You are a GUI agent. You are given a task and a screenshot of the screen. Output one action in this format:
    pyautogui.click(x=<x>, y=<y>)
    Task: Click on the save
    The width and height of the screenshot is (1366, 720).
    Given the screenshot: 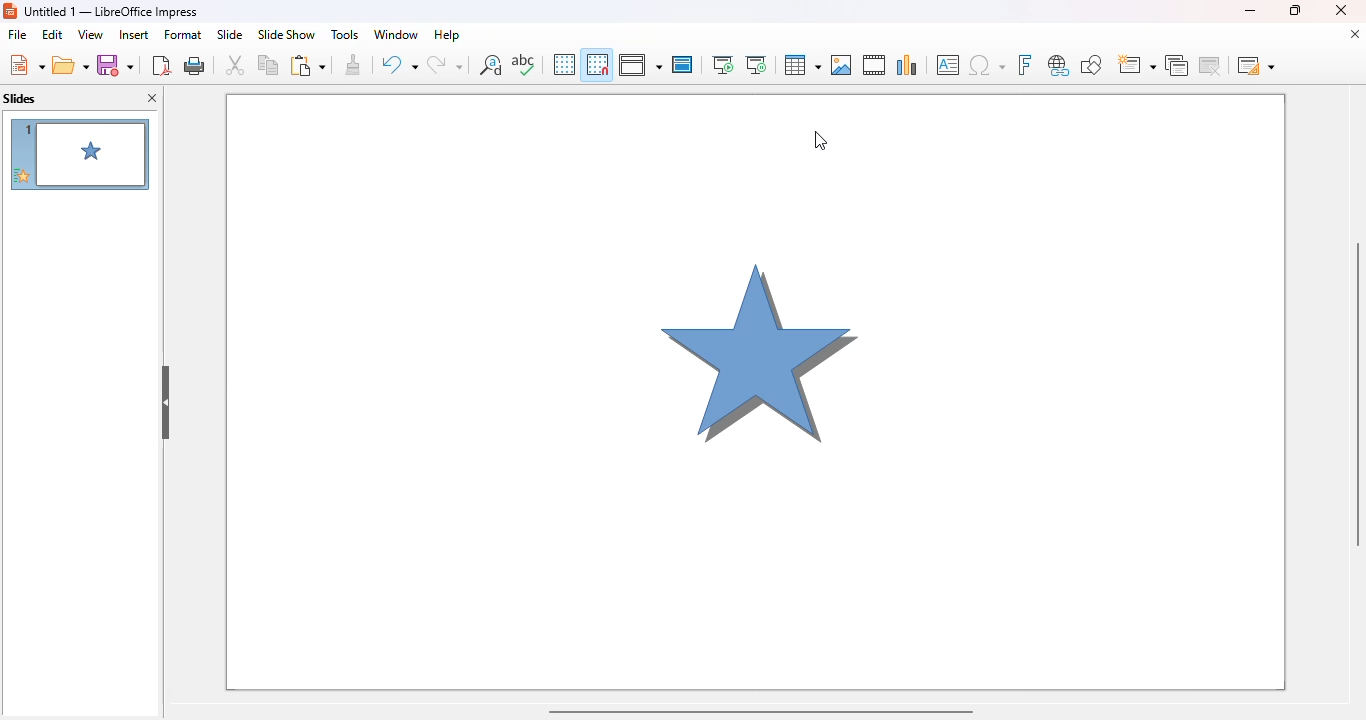 What is the action you would take?
    pyautogui.click(x=115, y=65)
    